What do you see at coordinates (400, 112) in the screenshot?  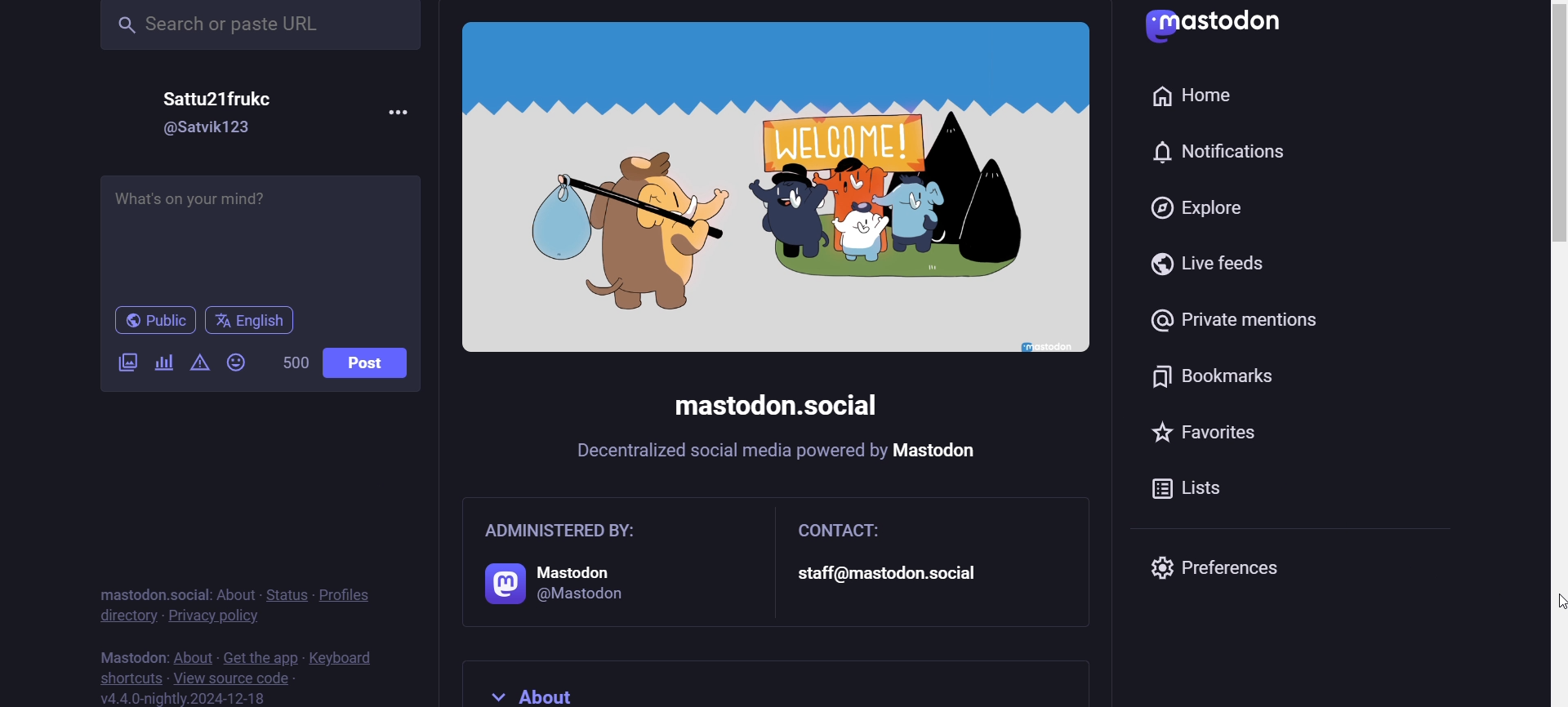 I see `more` at bounding box center [400, 112].